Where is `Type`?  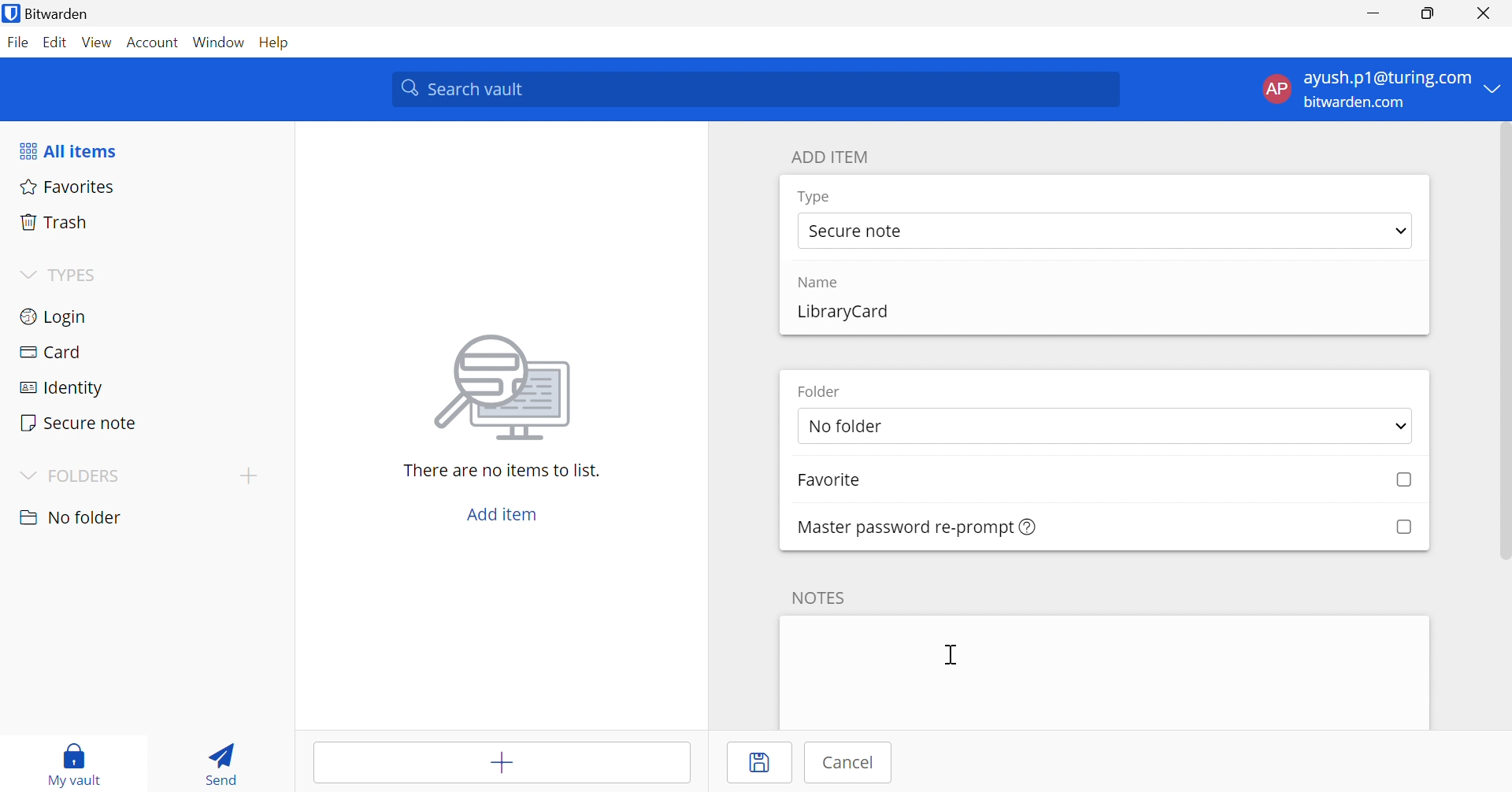 Type is located at coordinates (815, 198).